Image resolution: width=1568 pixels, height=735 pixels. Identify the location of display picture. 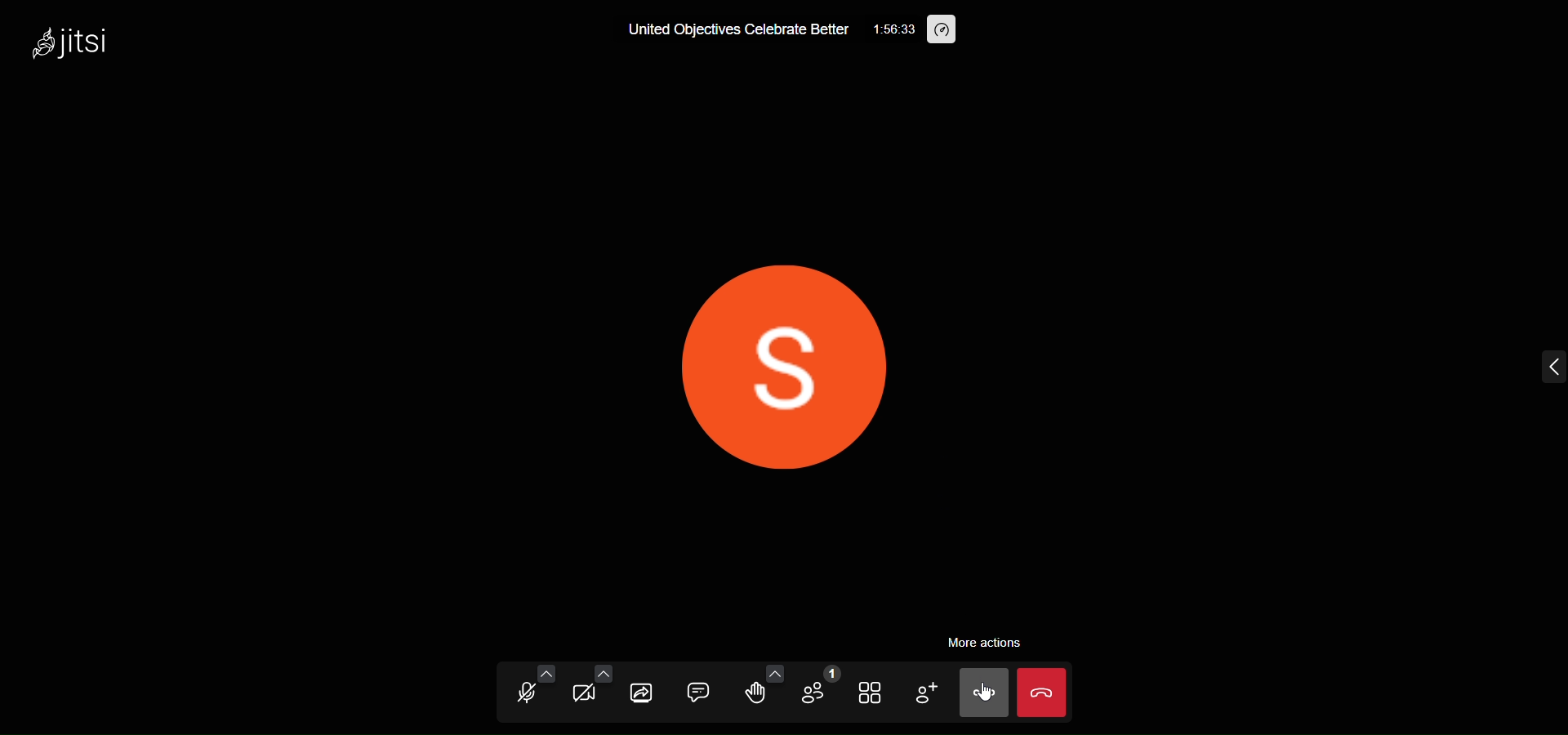
(790, 356).